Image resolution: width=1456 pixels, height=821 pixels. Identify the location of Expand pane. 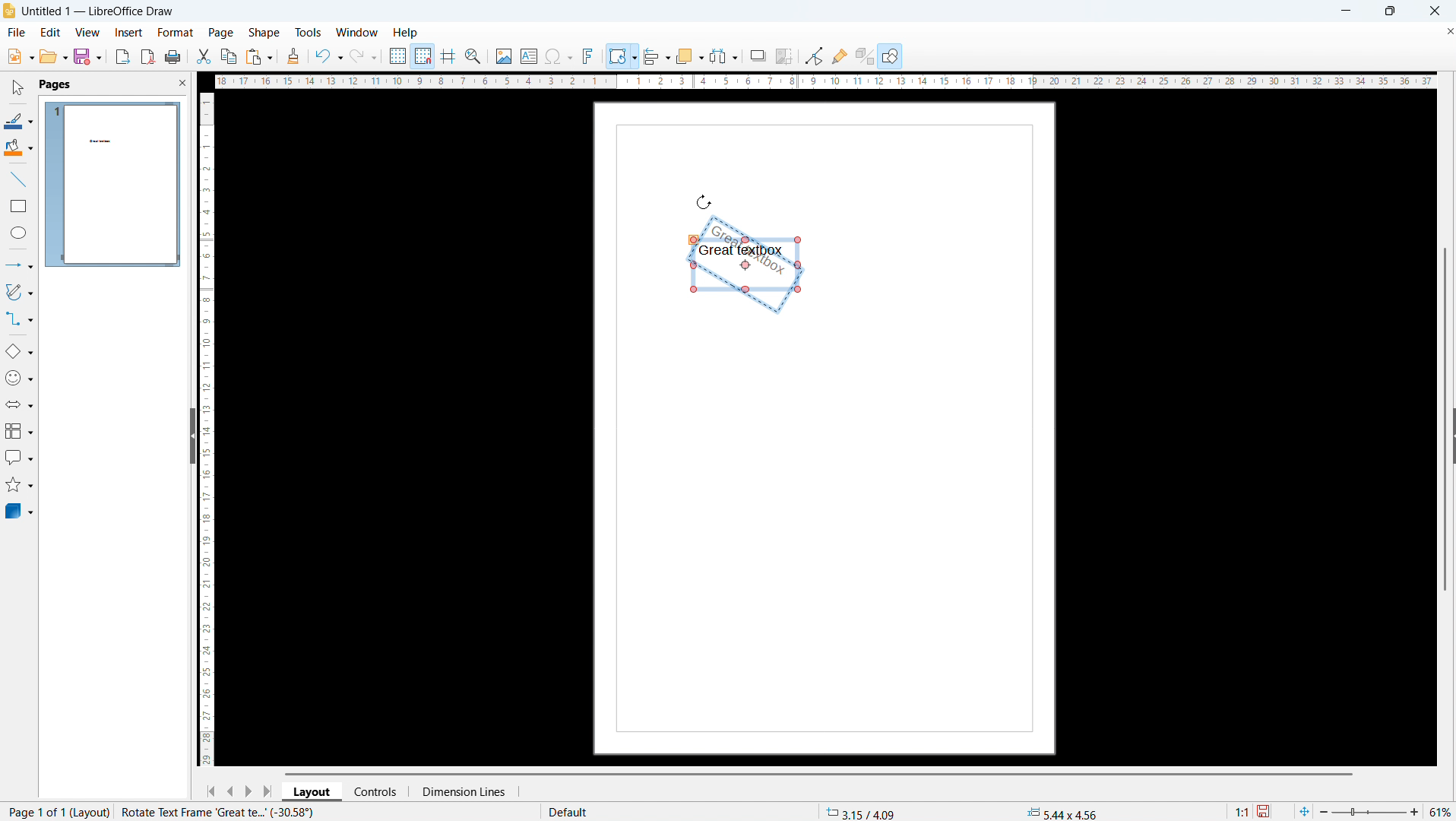
(1447, 440).